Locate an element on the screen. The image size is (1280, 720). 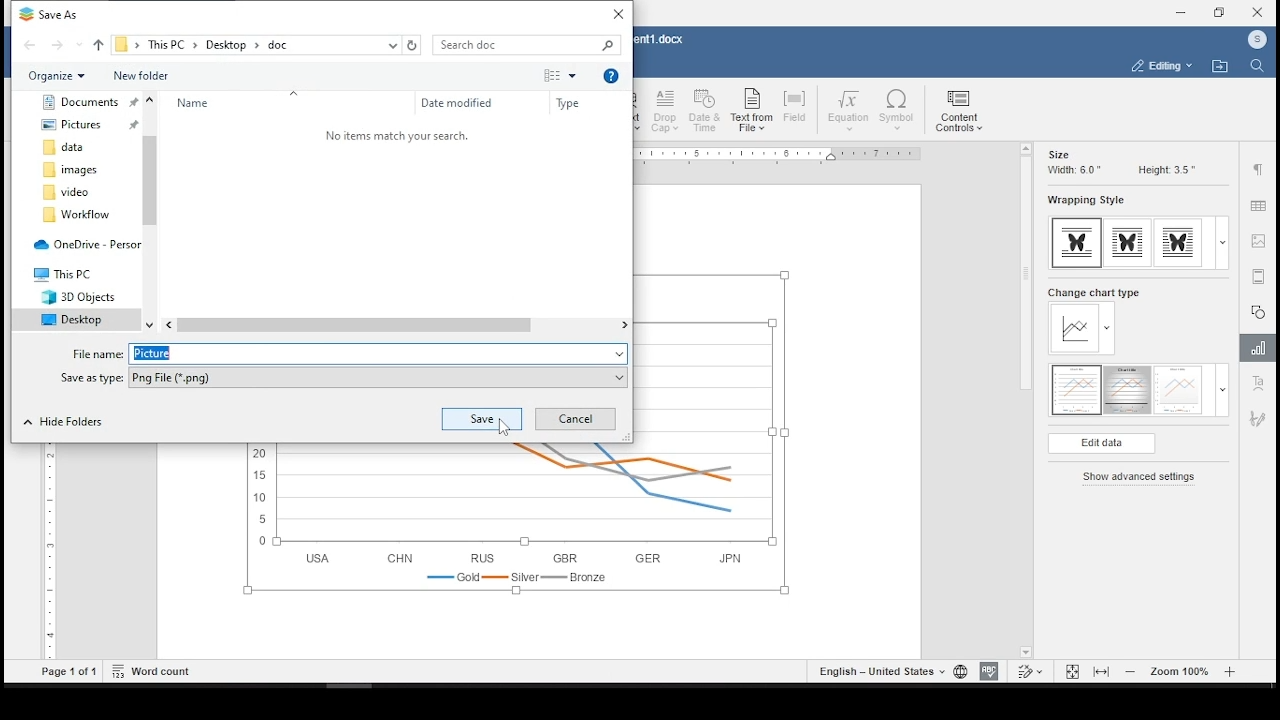
expand is located at coordinates (1222, 244).